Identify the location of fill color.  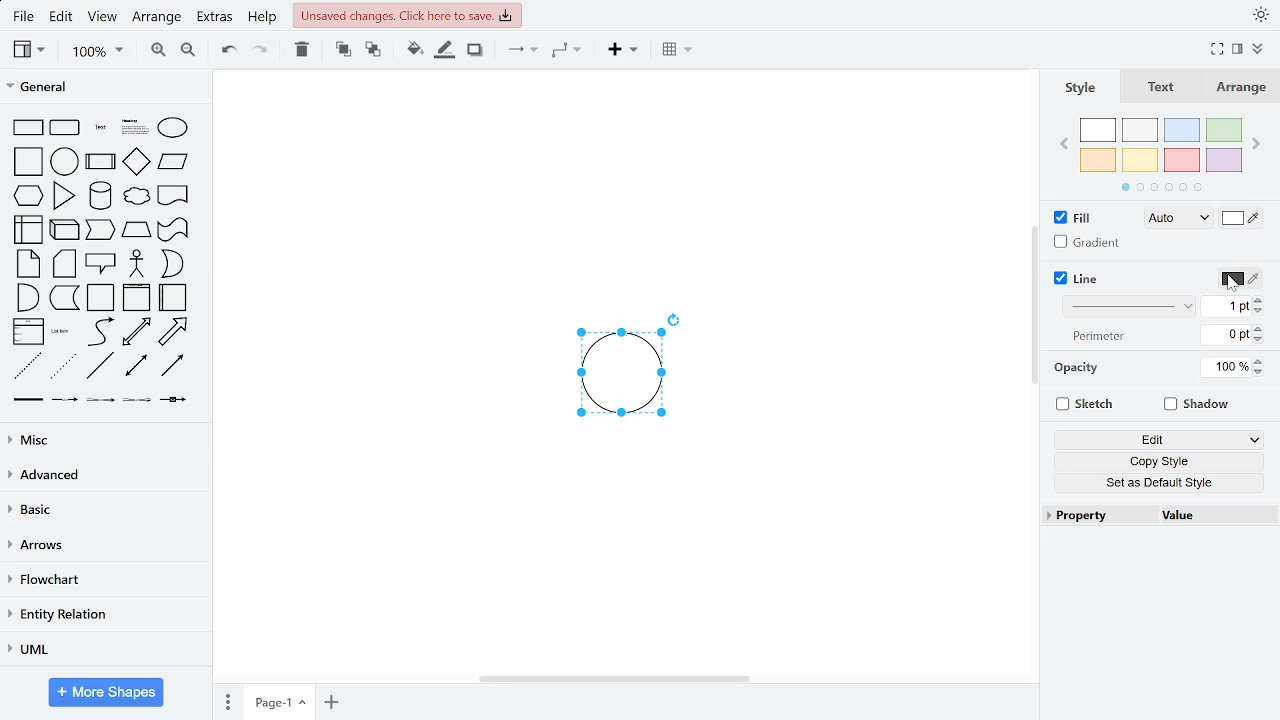
(1240, 218).